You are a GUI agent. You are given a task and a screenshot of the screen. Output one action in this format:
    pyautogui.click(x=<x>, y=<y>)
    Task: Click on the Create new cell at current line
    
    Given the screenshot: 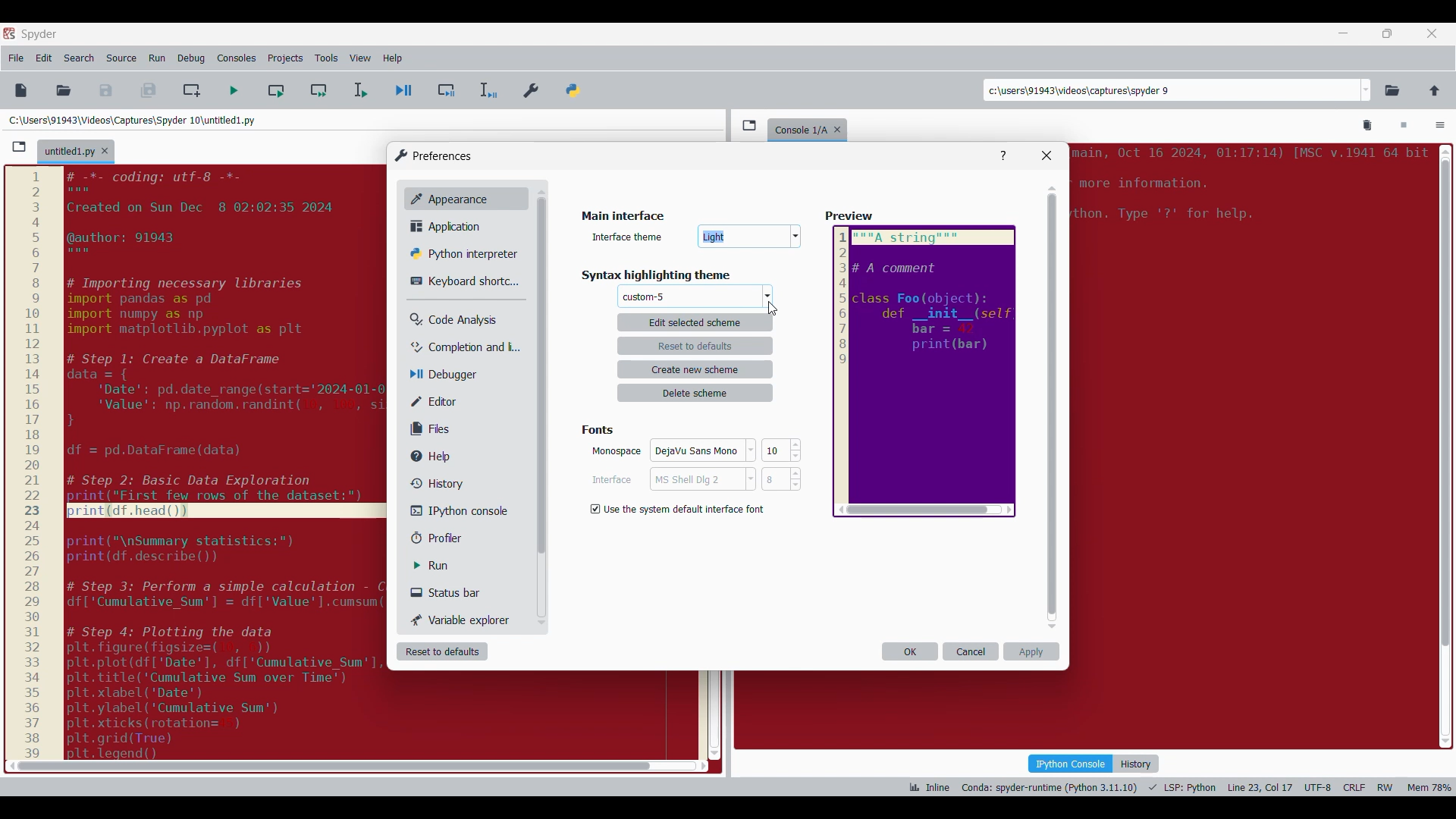 What is the action you would take?
    pyautogui.click(x=192, y=90)
    